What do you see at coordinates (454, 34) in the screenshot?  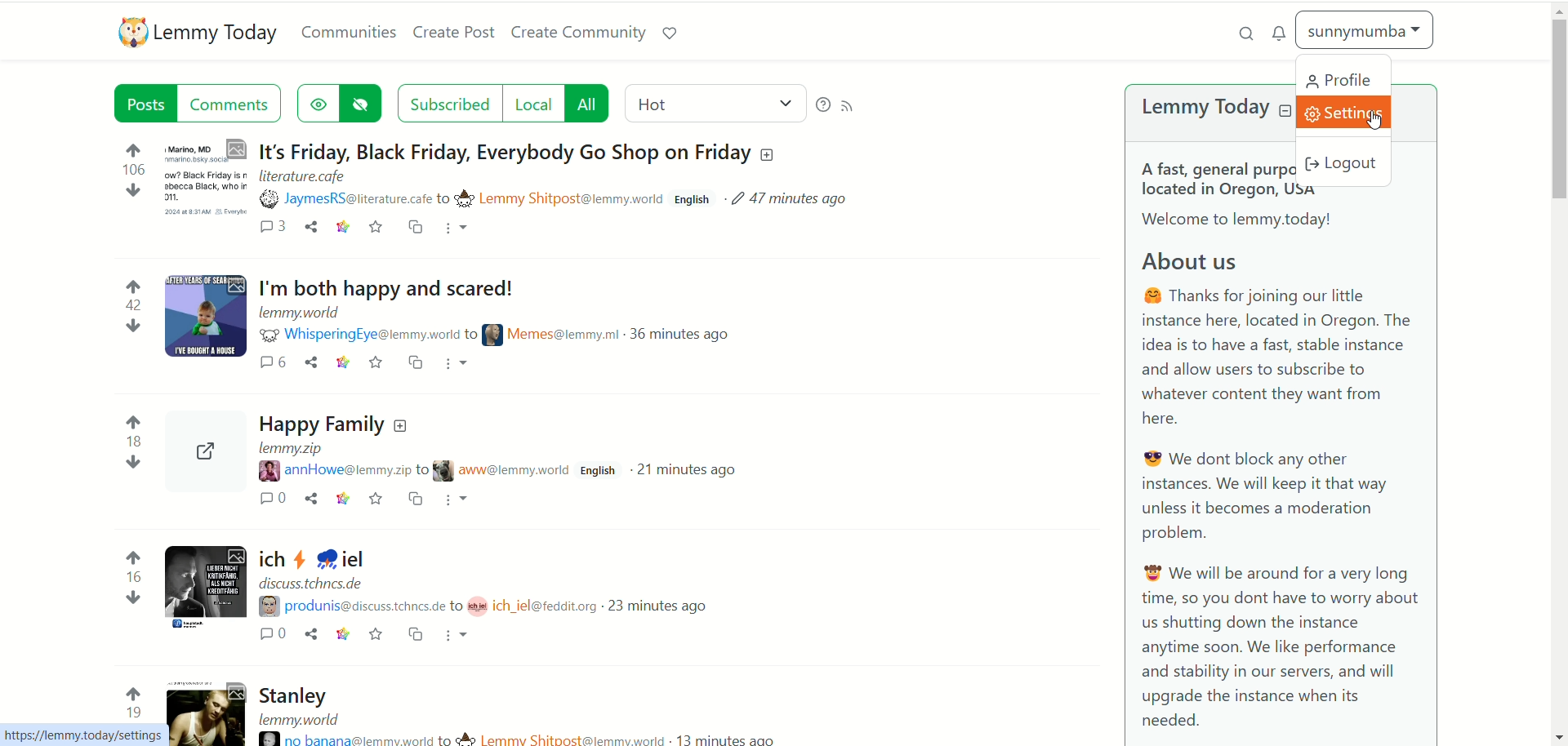 I see `create post` at bounding box center [454, 34].